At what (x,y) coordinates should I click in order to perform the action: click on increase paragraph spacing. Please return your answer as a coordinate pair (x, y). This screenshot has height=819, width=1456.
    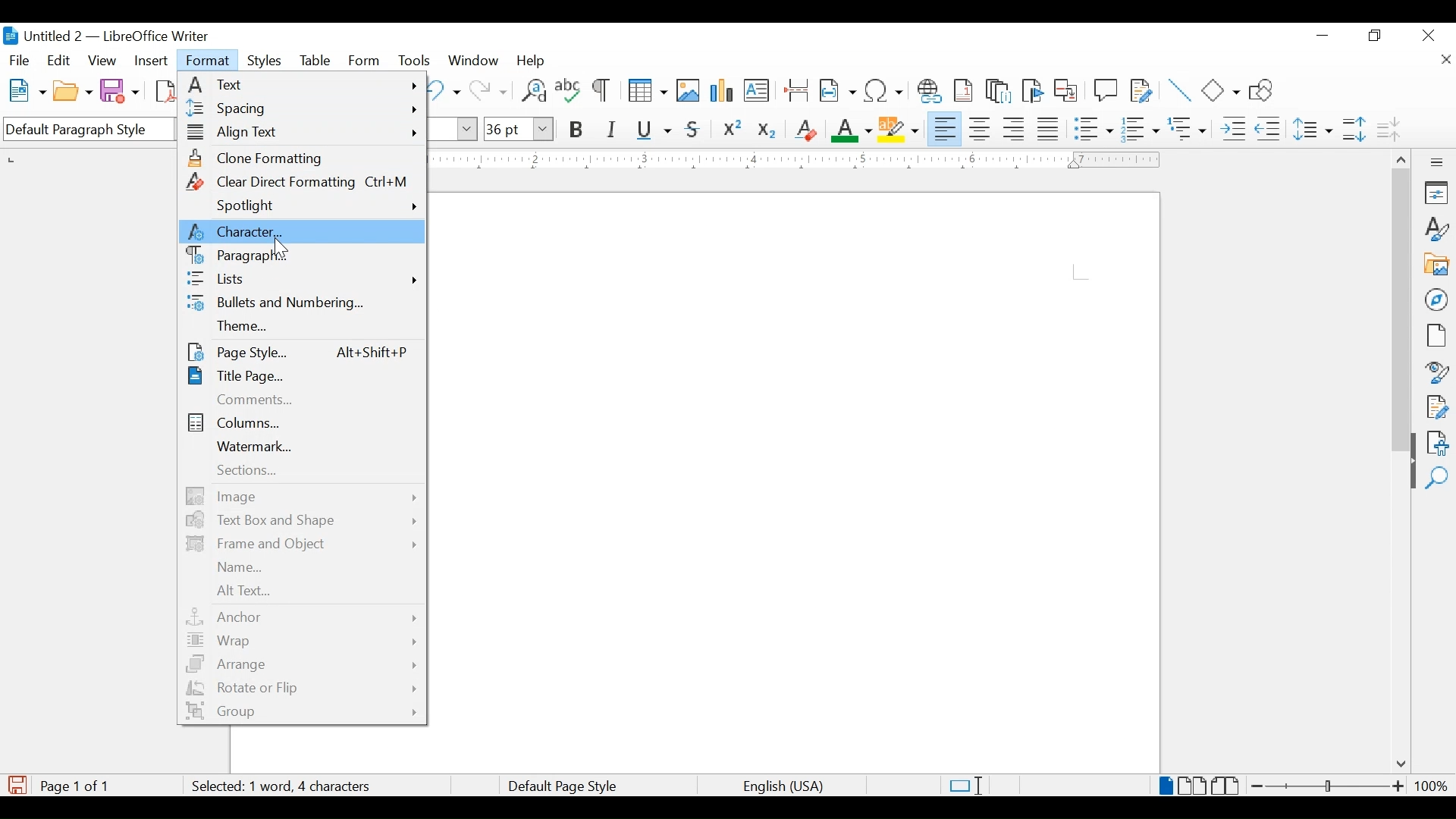
    Looking at the image, I should click on (1354, 129).